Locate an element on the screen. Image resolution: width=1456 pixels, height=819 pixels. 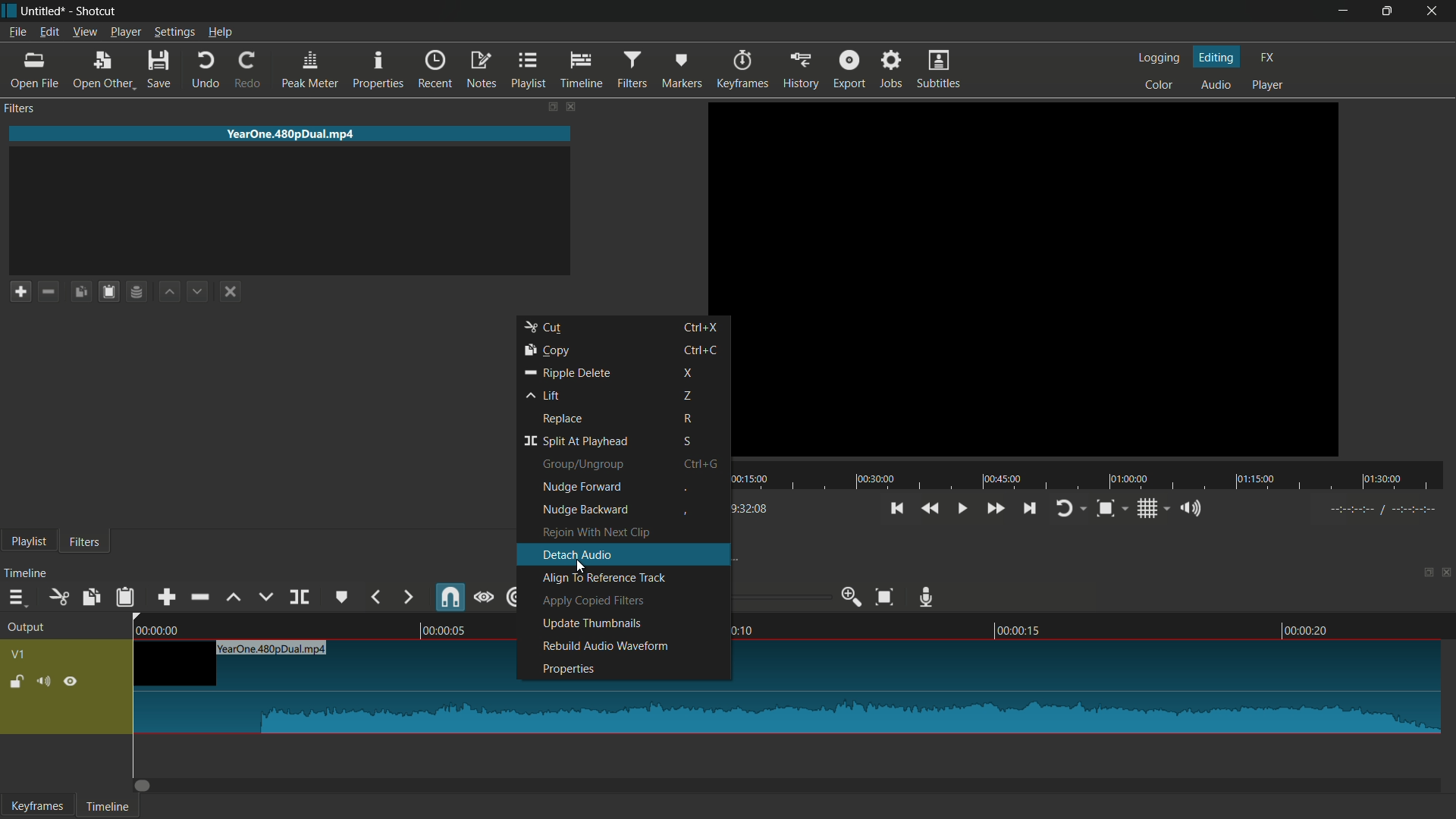
jobs is located at coordinates (893, 69).